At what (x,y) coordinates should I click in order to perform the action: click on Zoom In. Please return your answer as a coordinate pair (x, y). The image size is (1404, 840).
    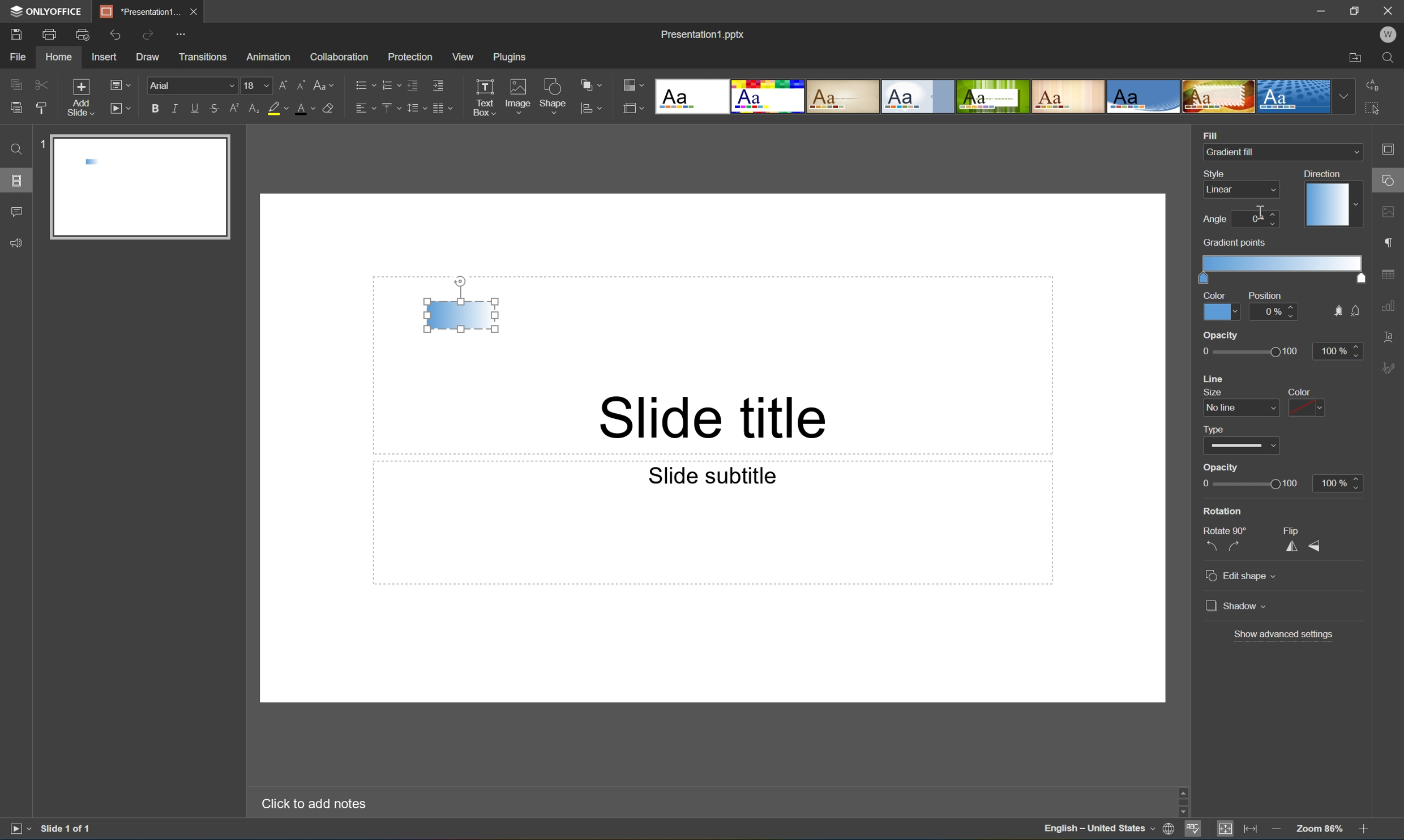
    Looking at the image, I should click on (1363, 831).